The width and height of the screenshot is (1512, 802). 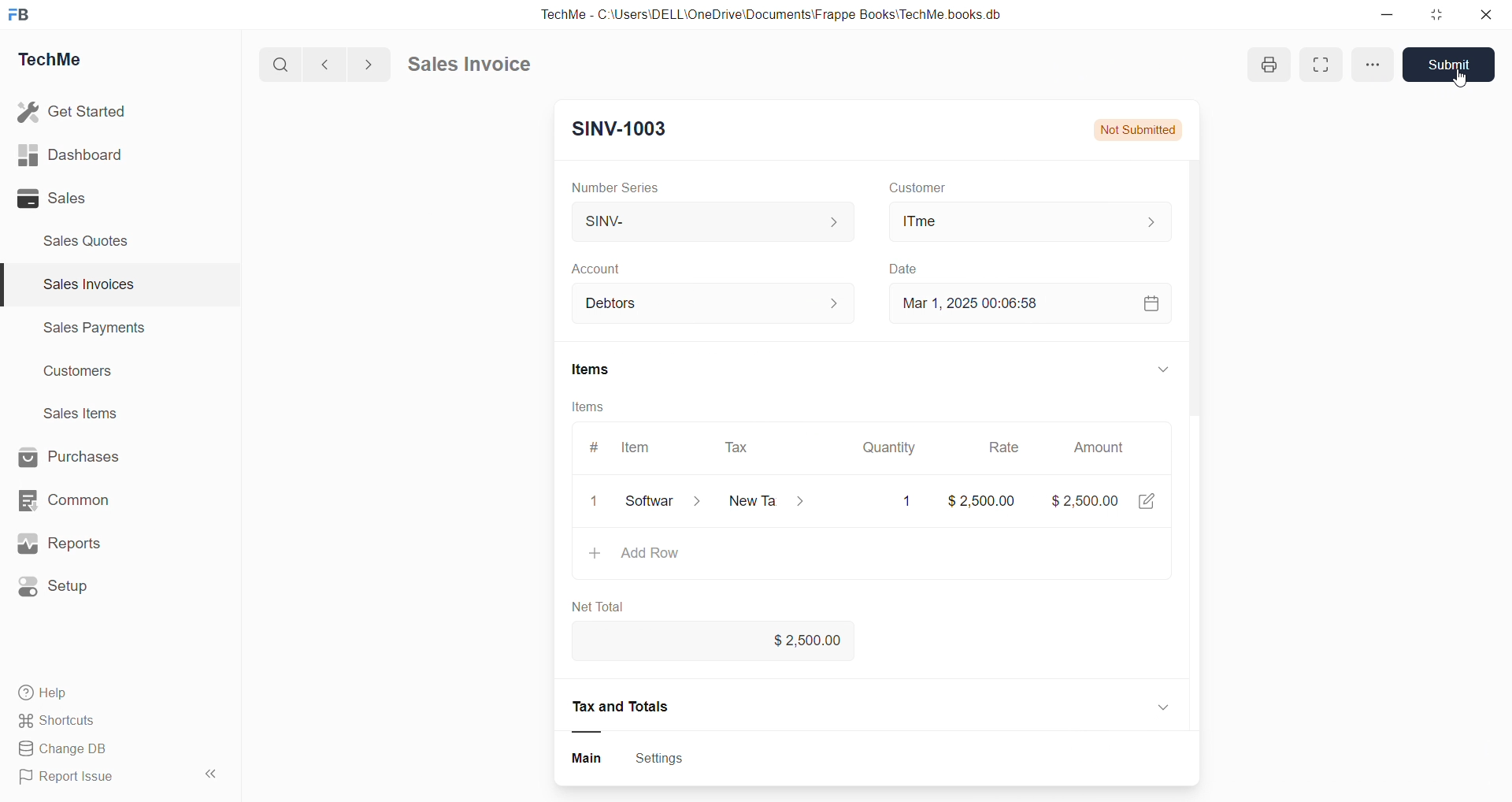 I want to click on $2,500.00, so click(x=825, y=639).